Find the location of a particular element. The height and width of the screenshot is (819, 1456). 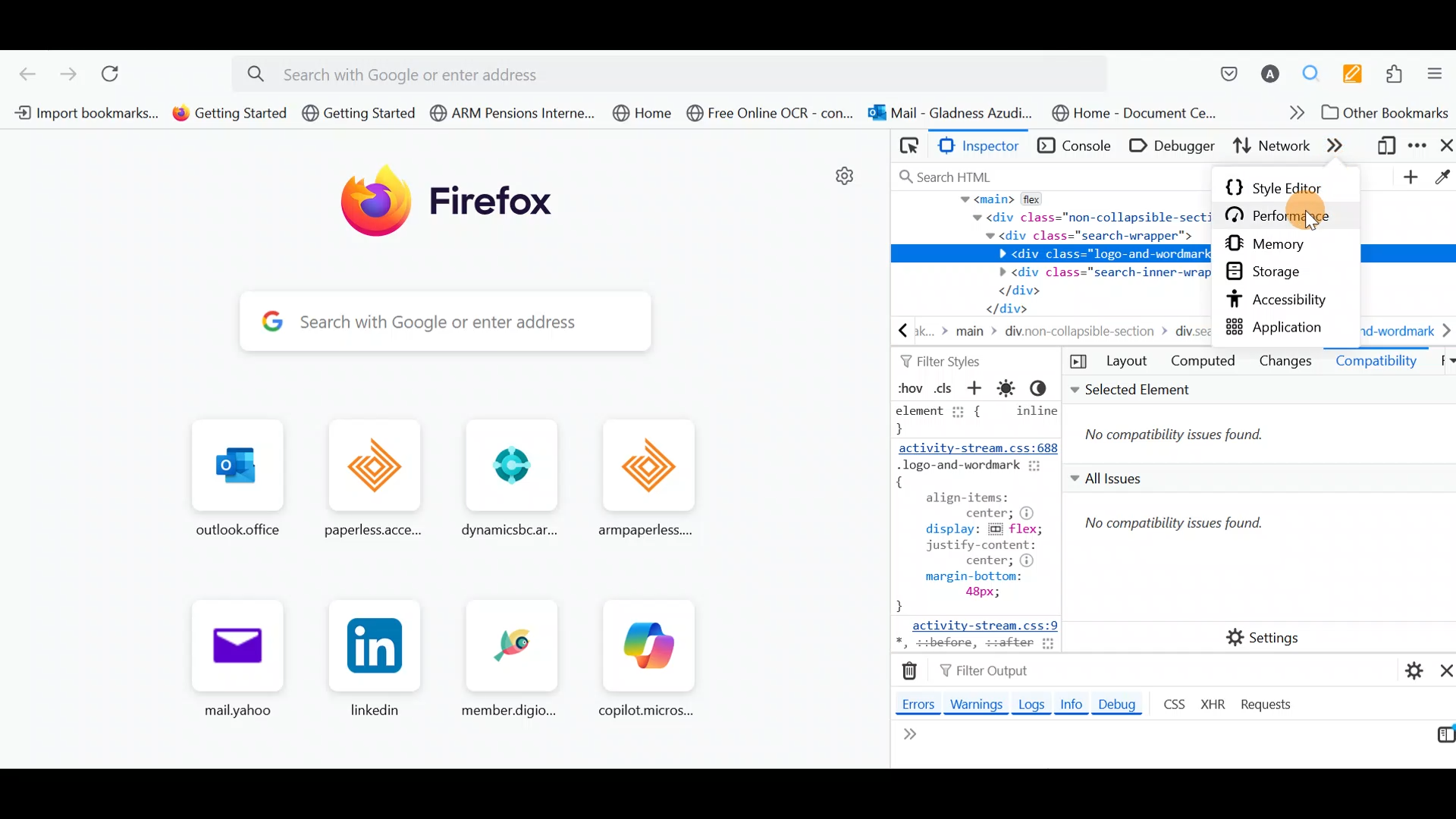

Create new node is located at coordinates (1408, 178).